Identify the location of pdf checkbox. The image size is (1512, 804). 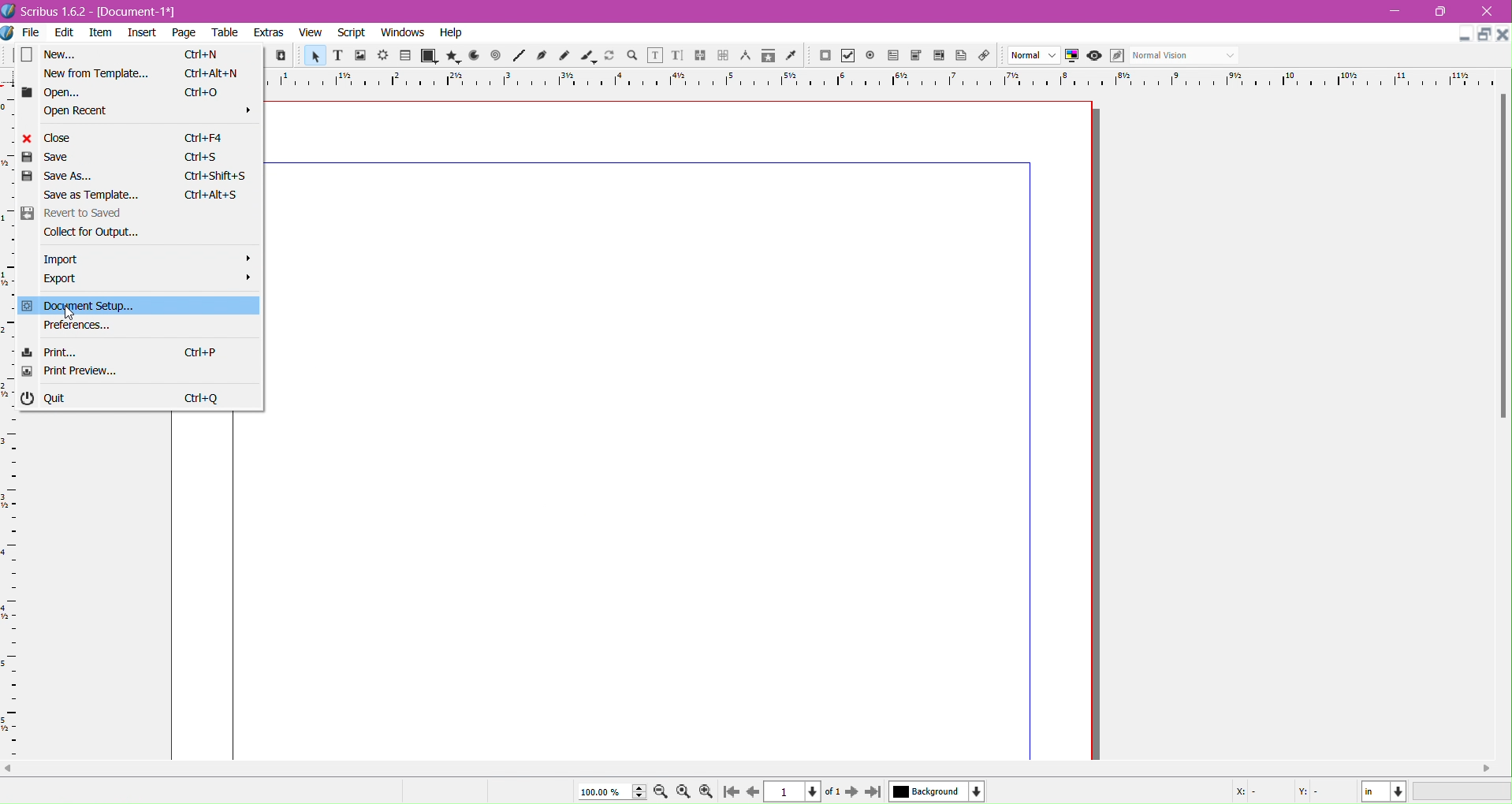
(892, 56).